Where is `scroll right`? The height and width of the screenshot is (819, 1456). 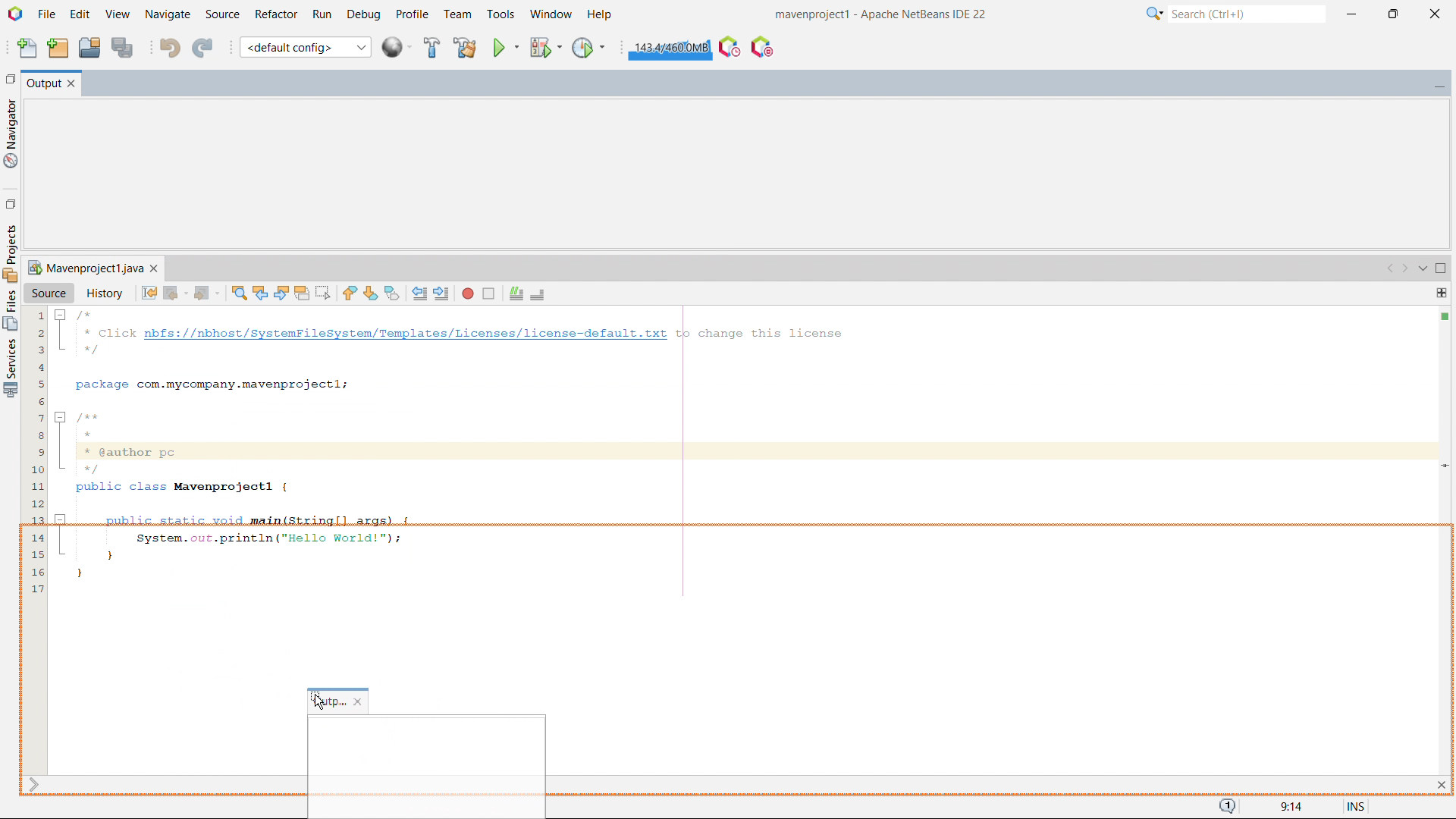 scroll right is located at coordinates (1405, 269).